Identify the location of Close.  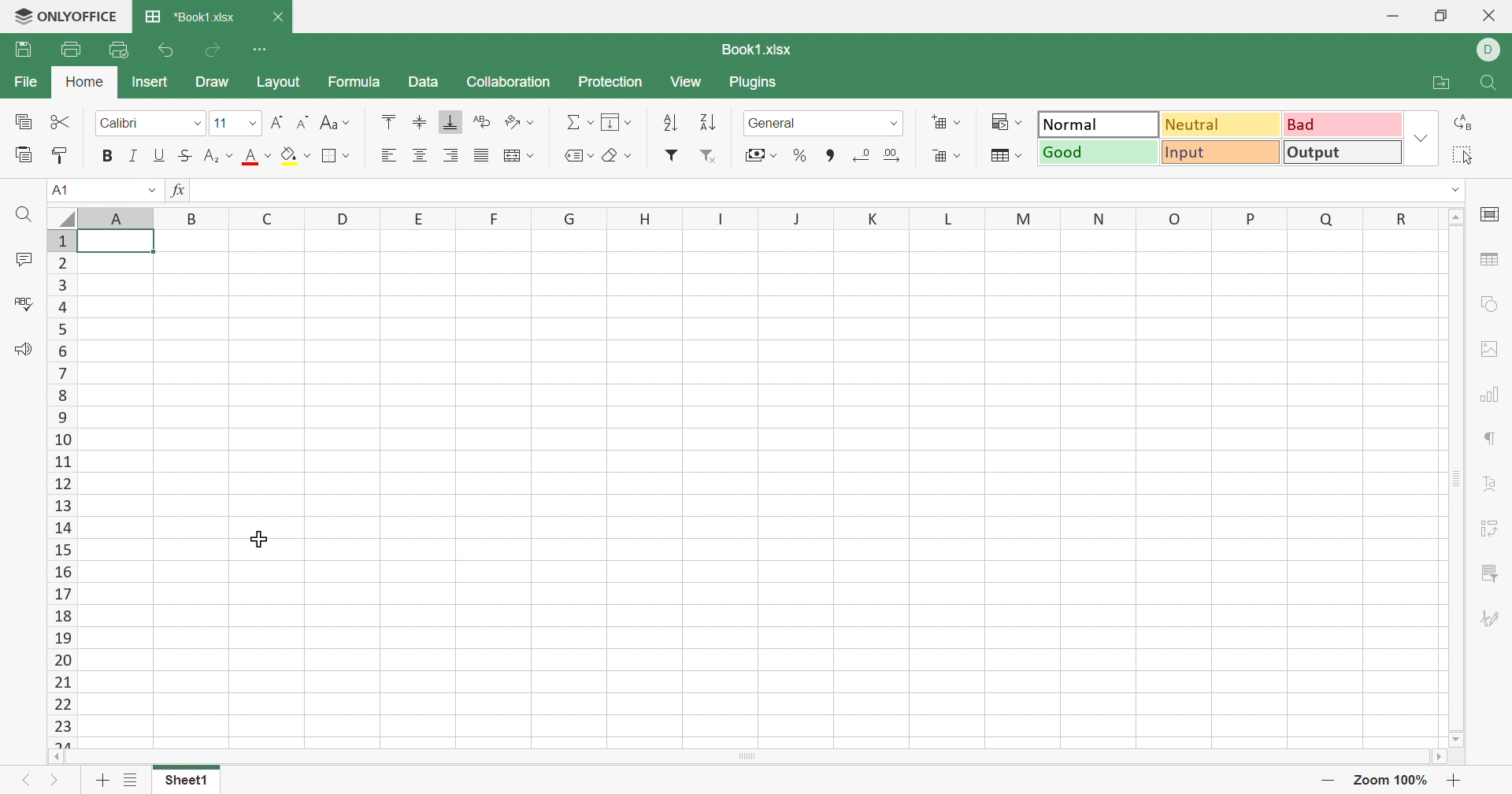
(277, 17).